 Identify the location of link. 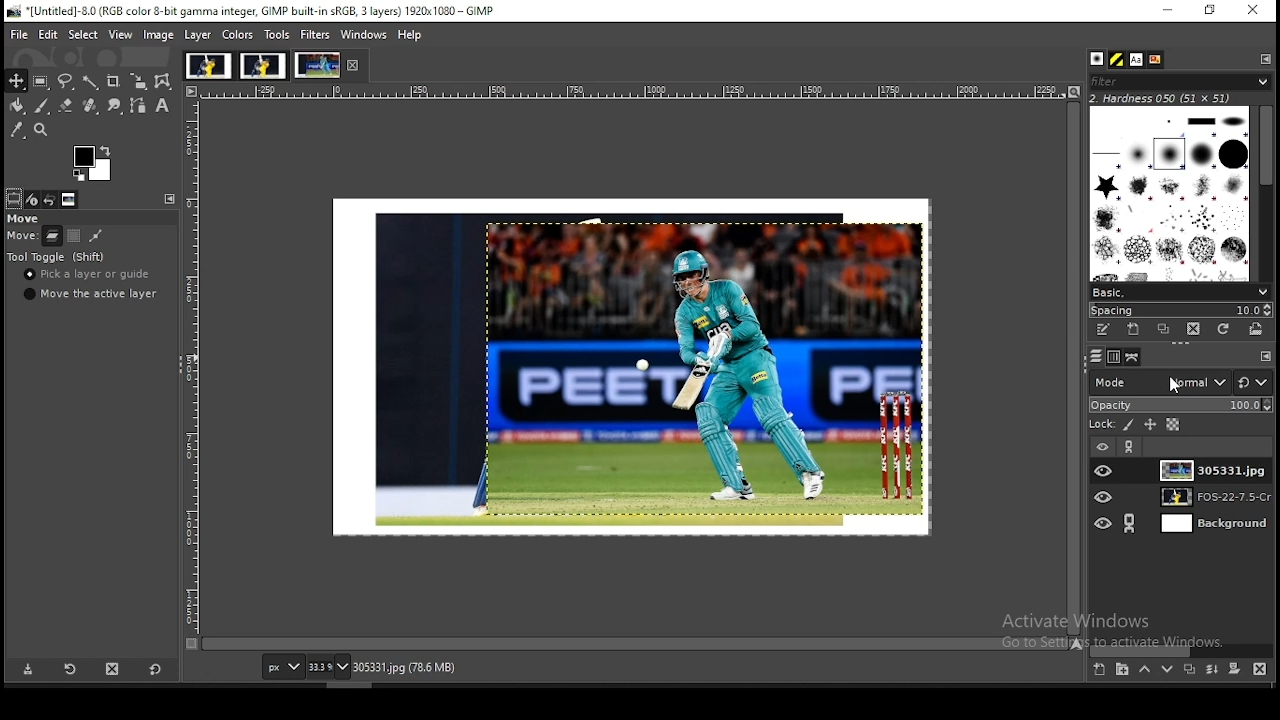
(1131, 449).